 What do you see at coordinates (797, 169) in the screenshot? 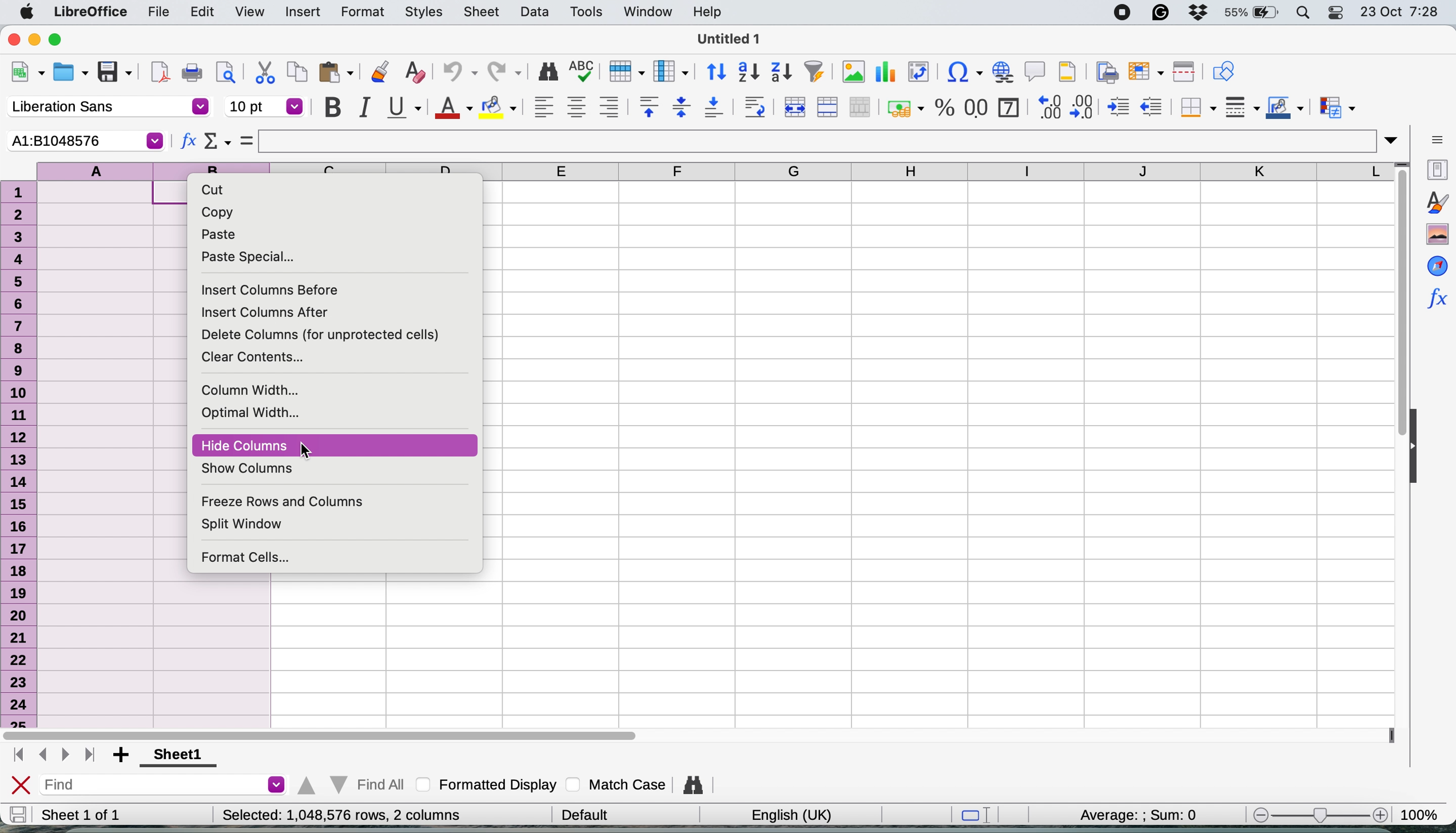
I see `columns` at bounding box center [797, 169].